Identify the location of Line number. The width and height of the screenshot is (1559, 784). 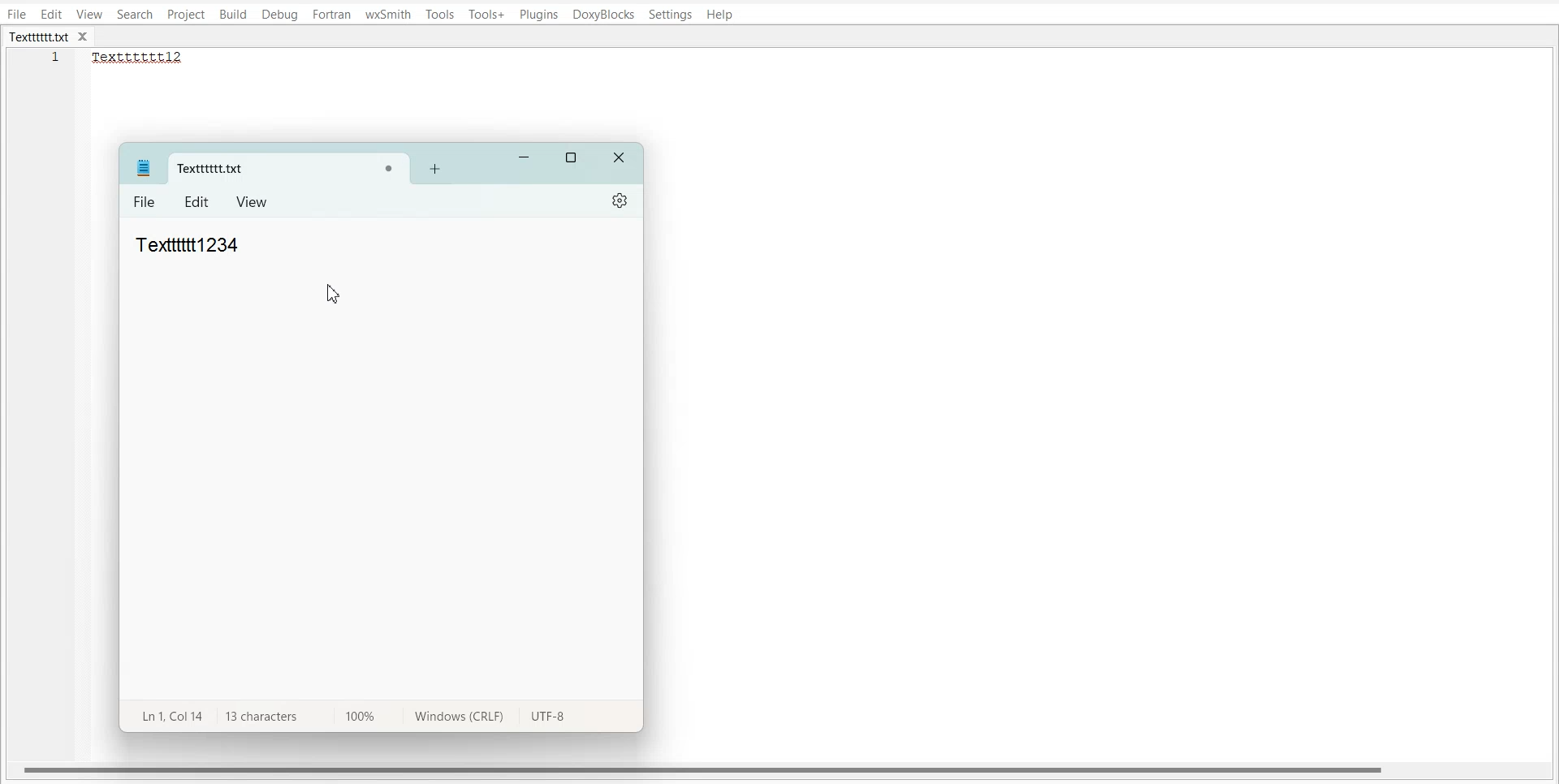
(57, 62).